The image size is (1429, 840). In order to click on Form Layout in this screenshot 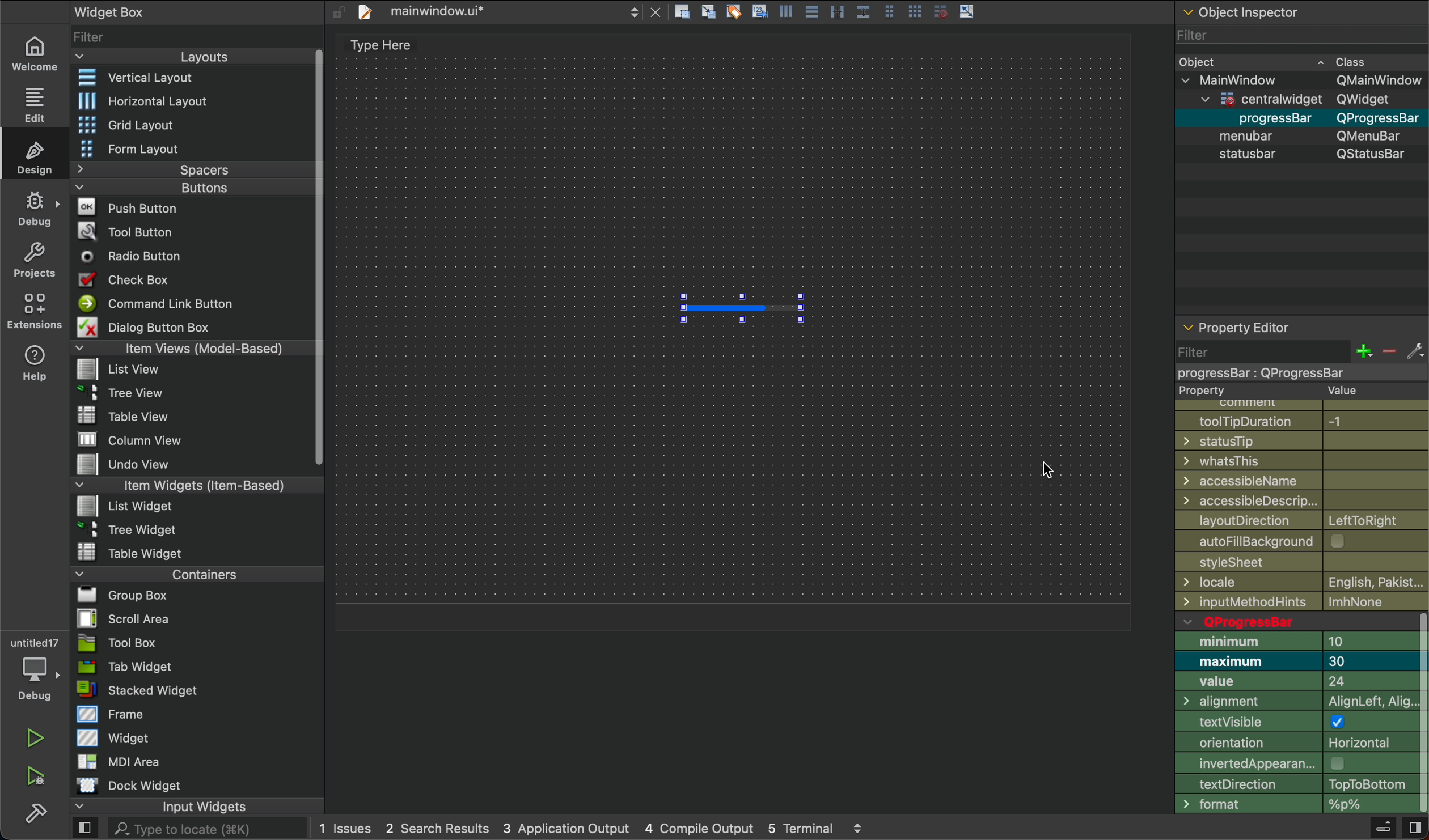, I will do `click(143, 149)`.